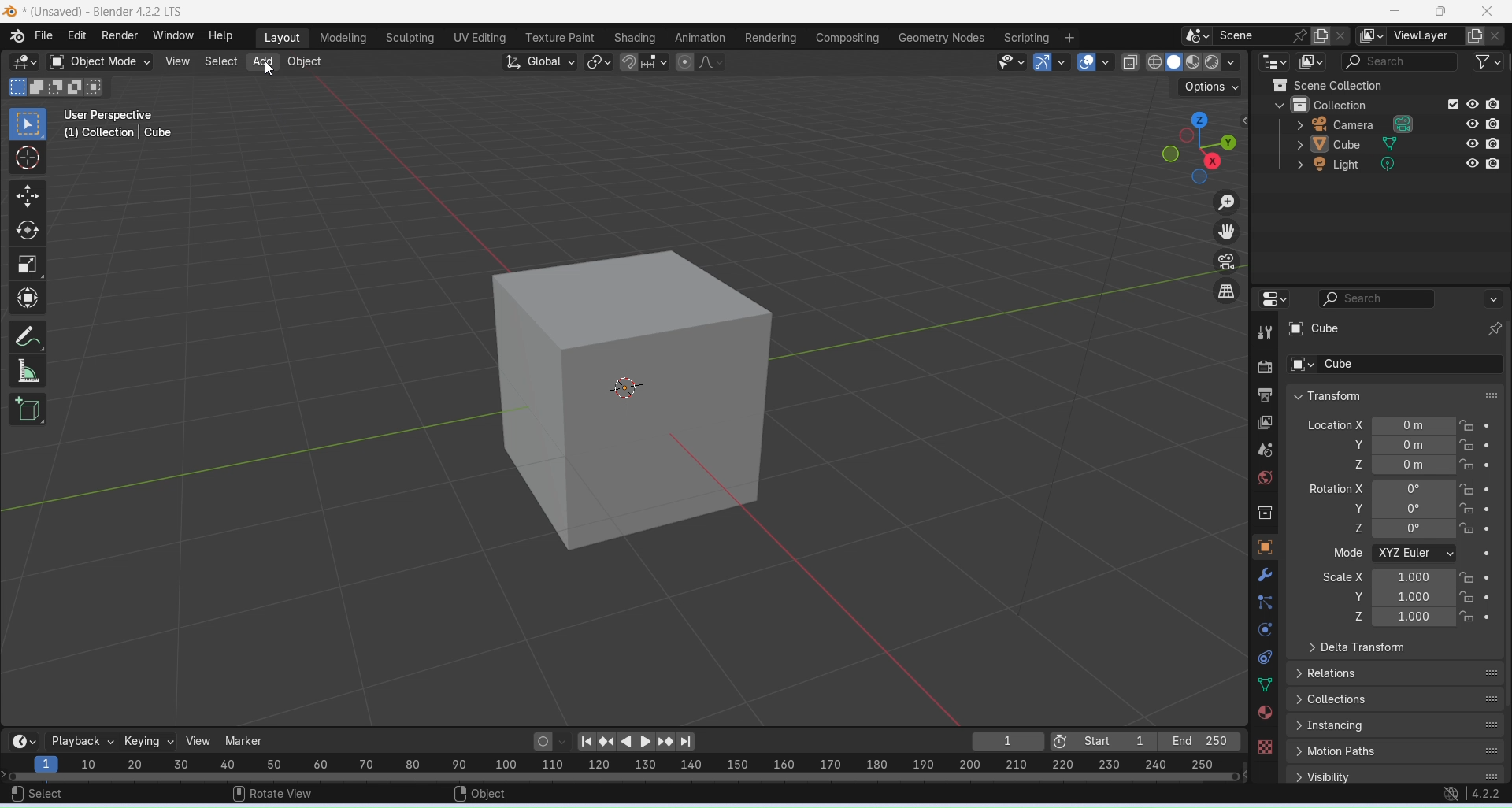  I want to click on Z scale, so click(1432, 617).